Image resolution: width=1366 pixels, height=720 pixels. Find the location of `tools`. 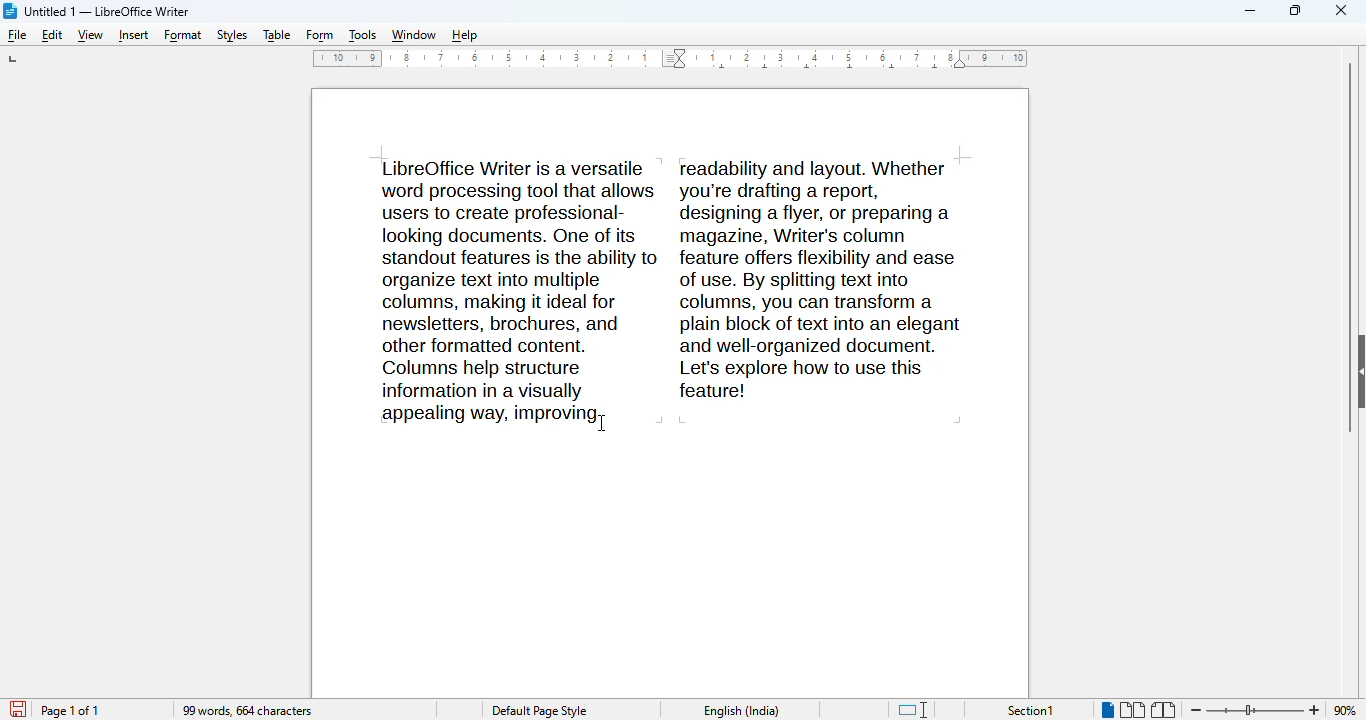

tools is located at coordinates (362, 37).